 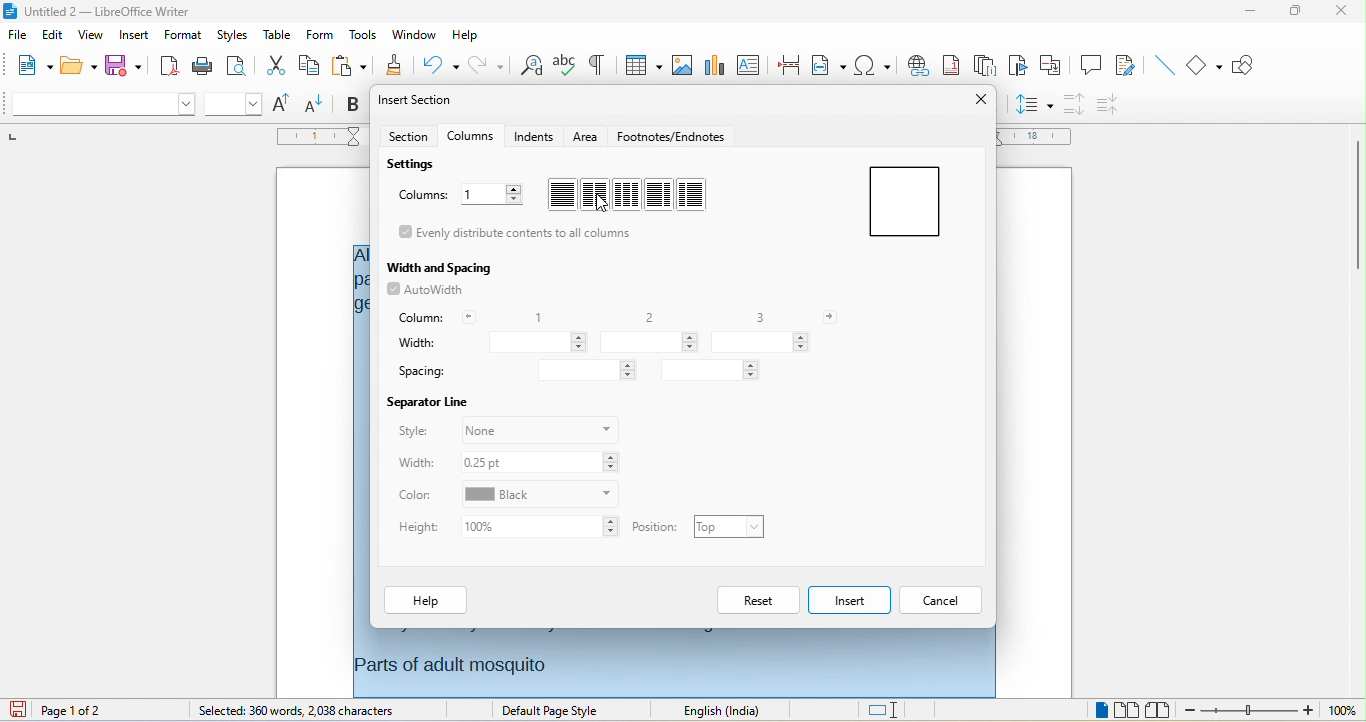 What do you see at coordinates (890, 710) in the screenshot?
I see `standard selection` at bounding box center [890, 710].